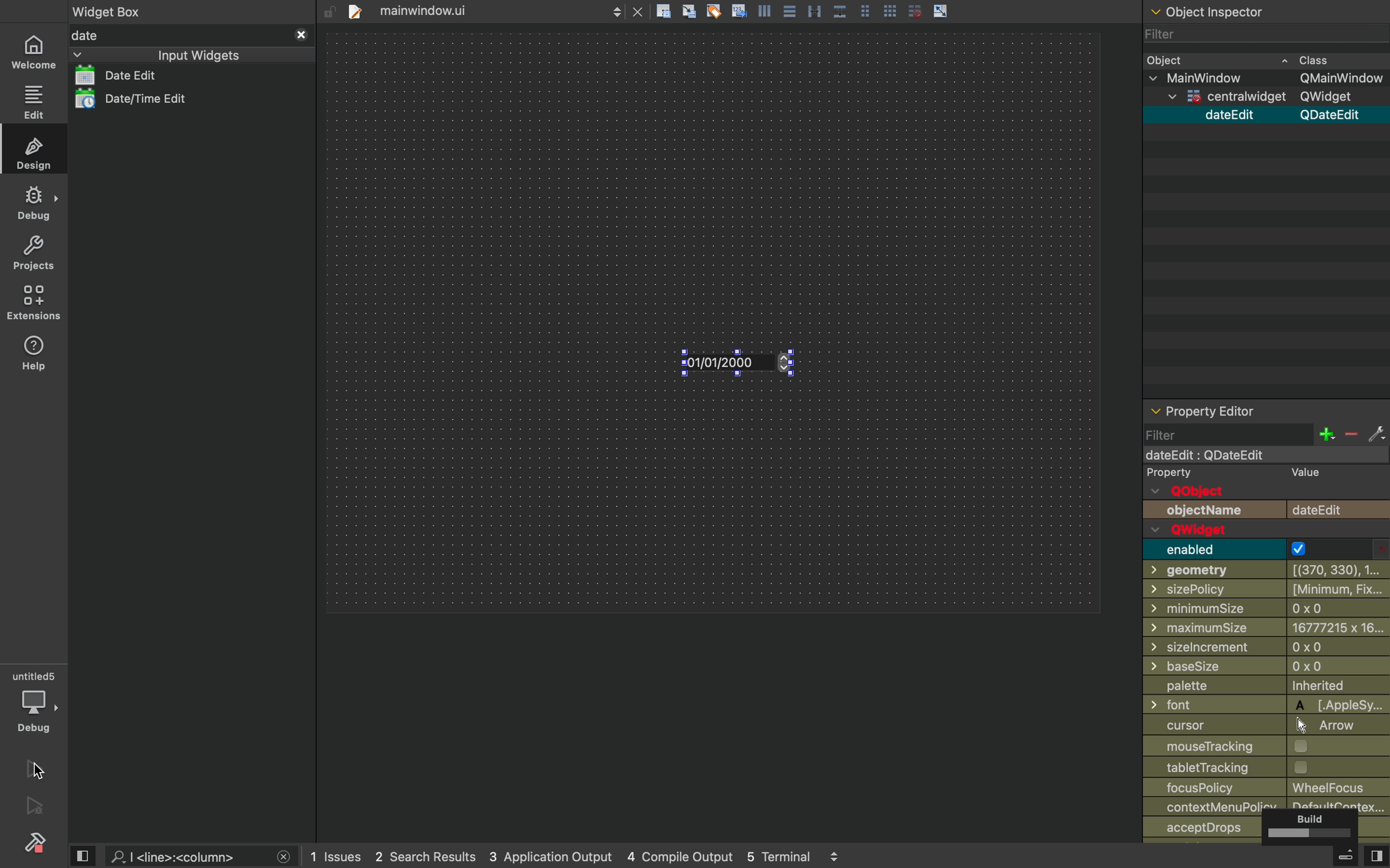 The height and width of the screenshot is (868, 1390). Describe the element at coordinates (575, 855) in the screenshot. I see `logs` at that location.